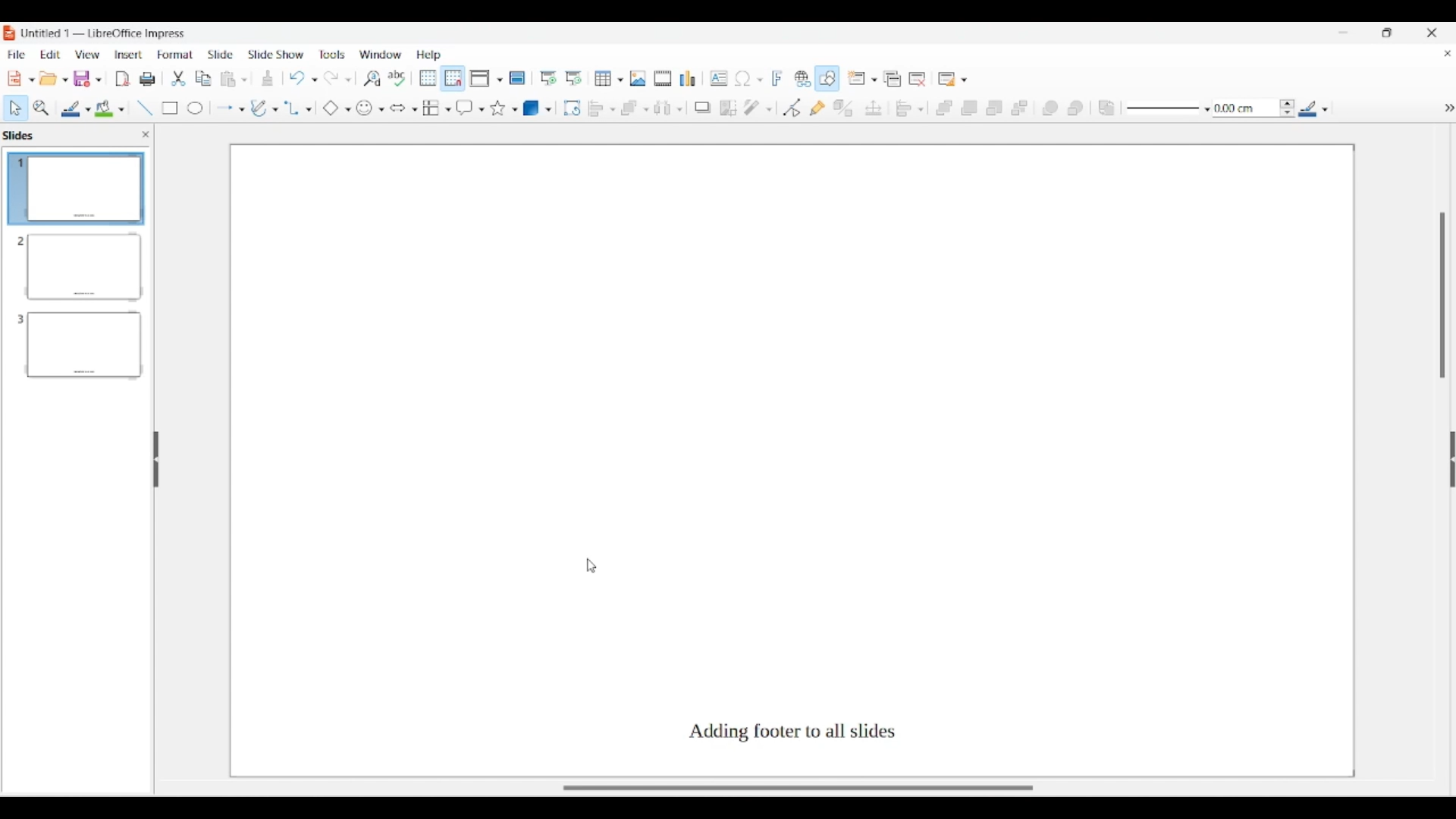  I want to click on Insert framework text, so click(777, 78).